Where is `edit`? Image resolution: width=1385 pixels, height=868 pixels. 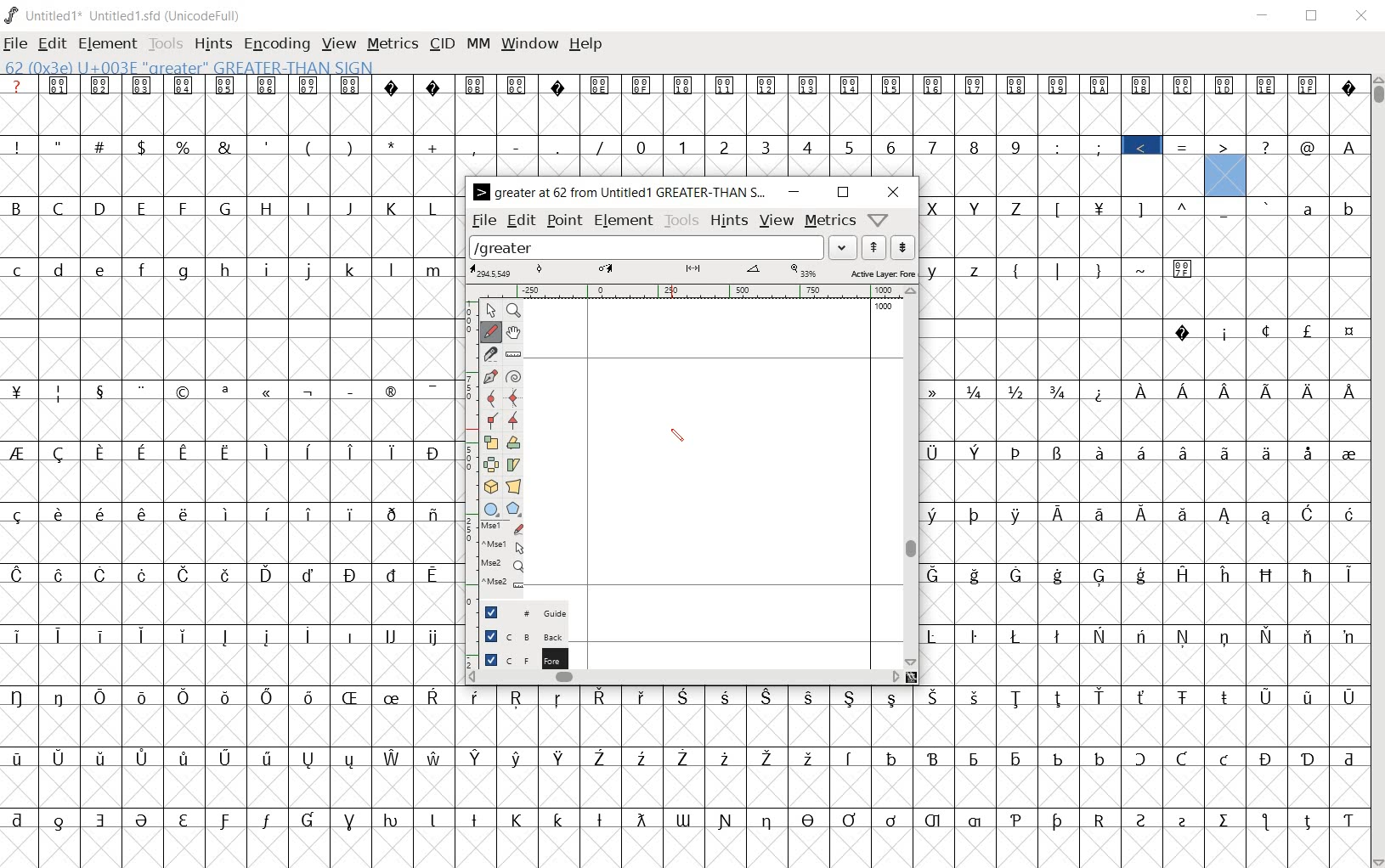 edit is located at coordinates (50, 43).